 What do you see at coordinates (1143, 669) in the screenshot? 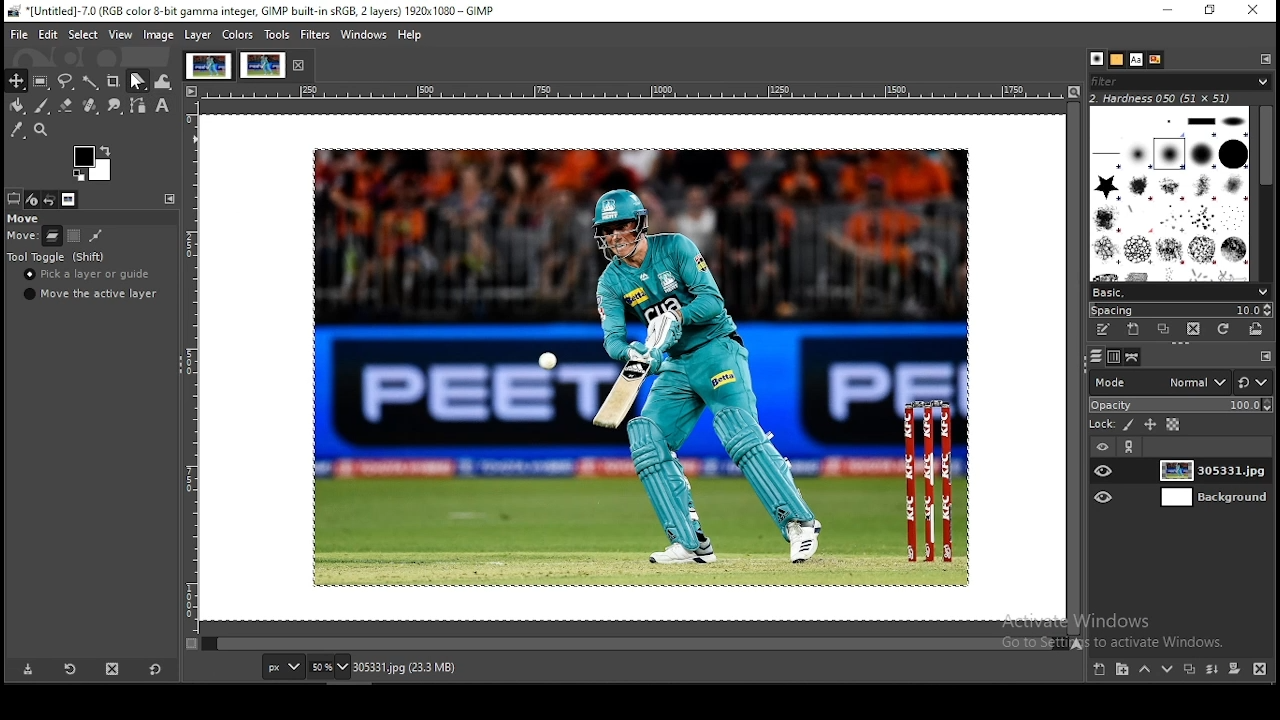
I see `move layer one step up` at bounding box center [1143, 669].